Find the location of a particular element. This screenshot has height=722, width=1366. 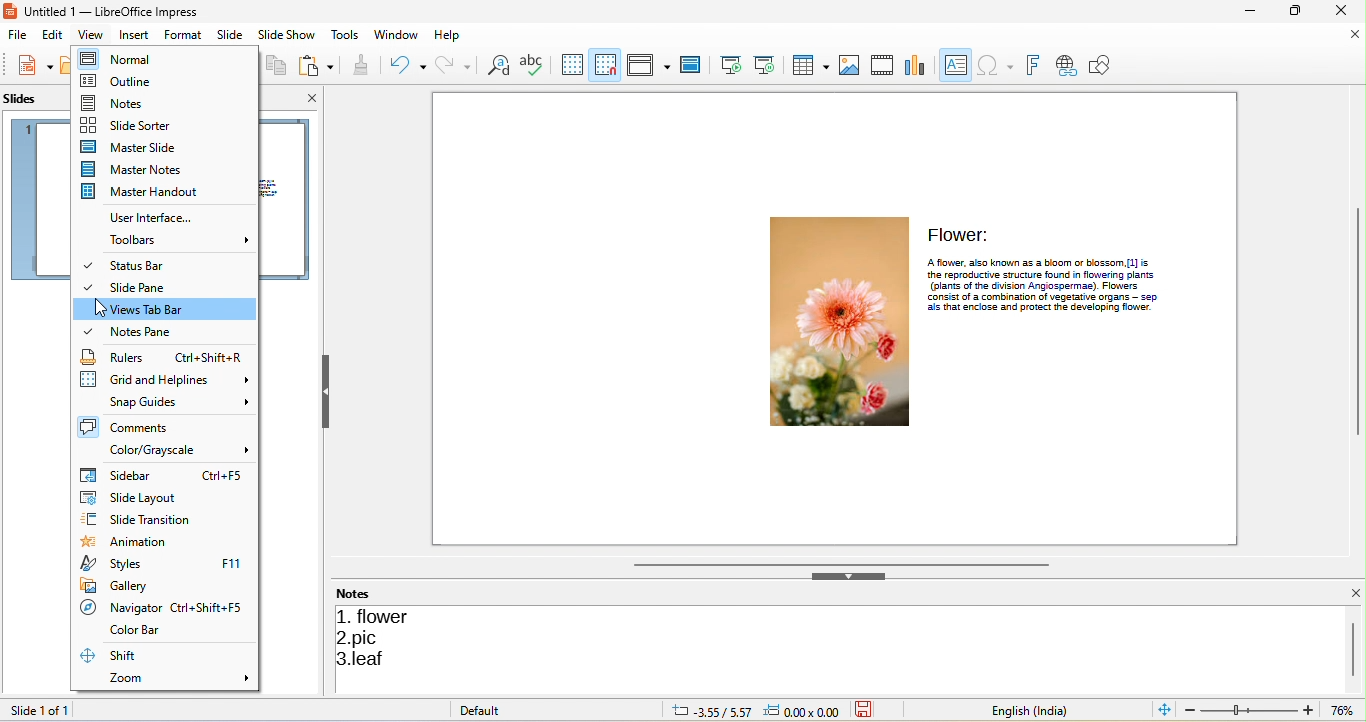

master handout is located at coordinates (144, 192).